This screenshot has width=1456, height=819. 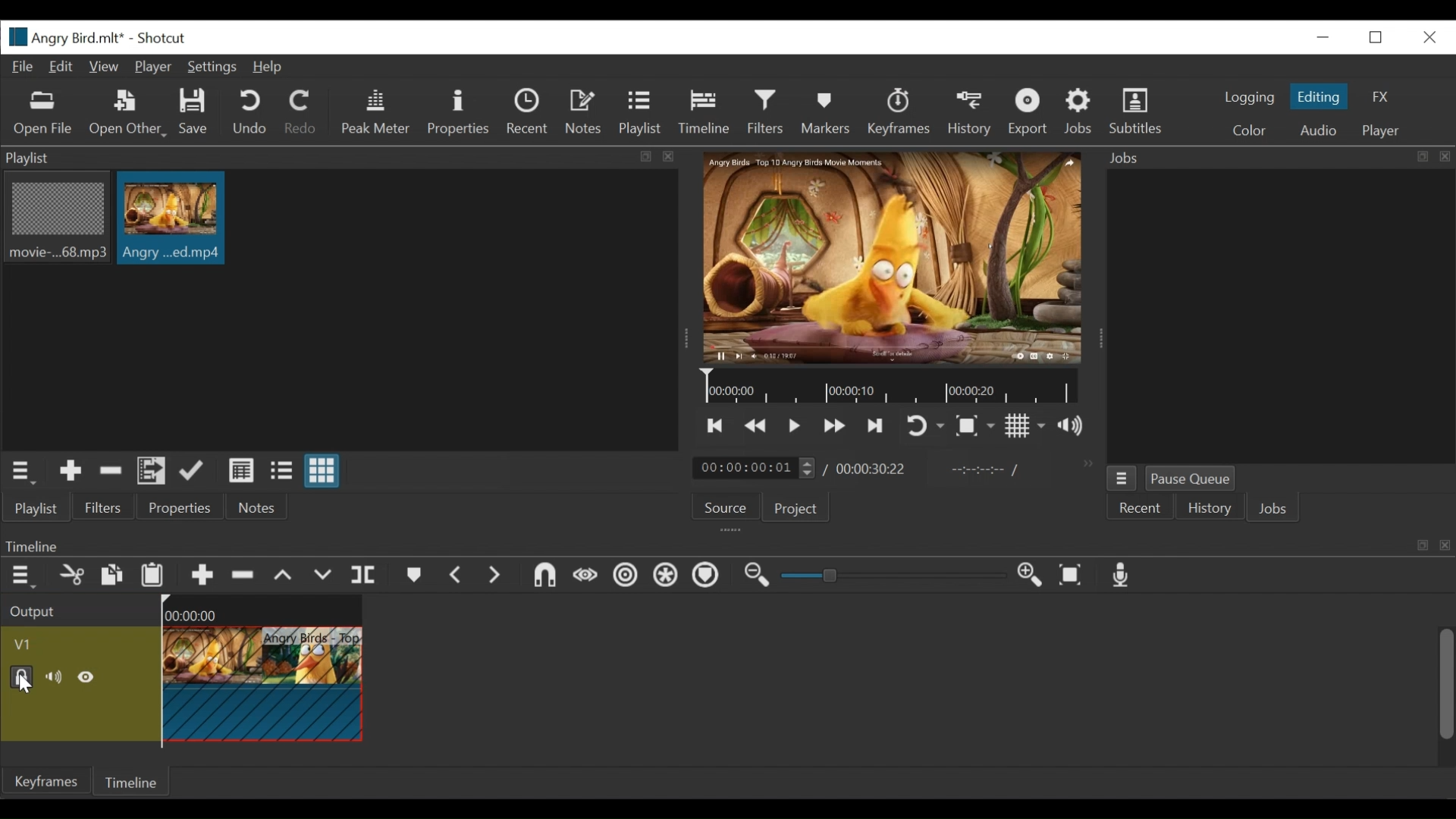 What do you see at coordinates (178, 507) in the screenshot?
I see `Properties` at bounding box center [178, 507].